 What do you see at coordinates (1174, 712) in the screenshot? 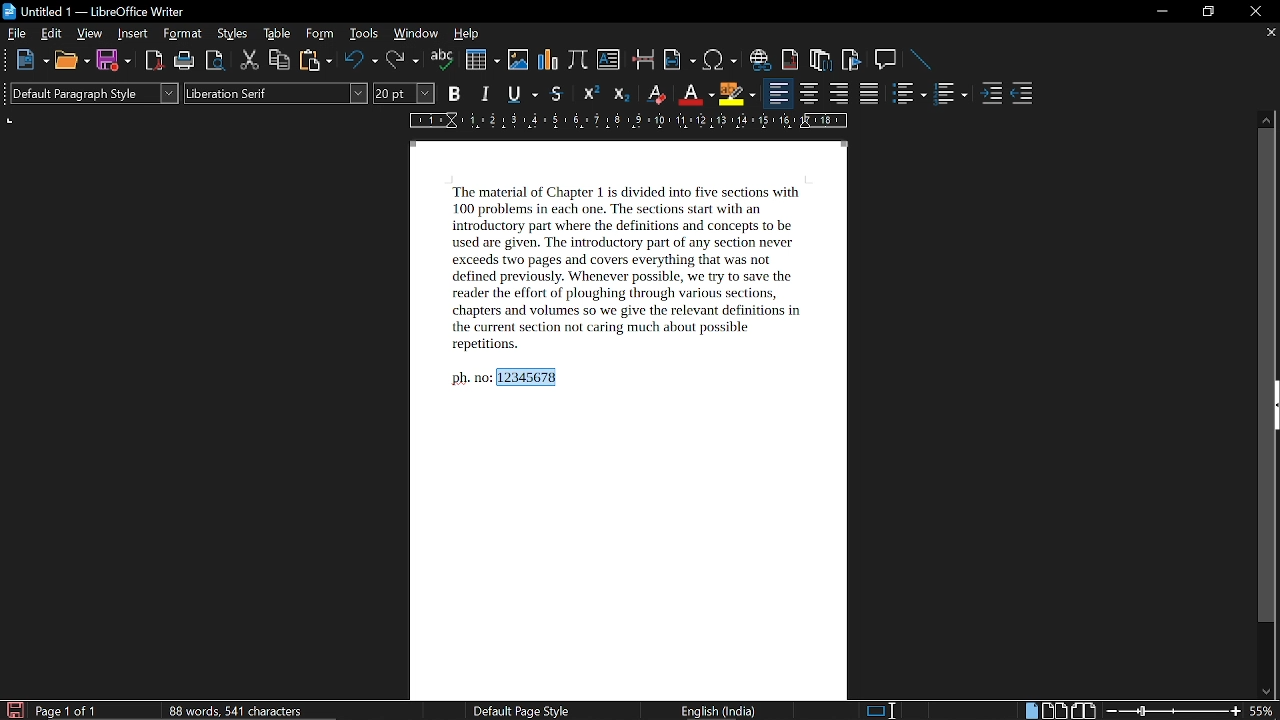
I see `change zoom` at bounding box center [1174, 712].